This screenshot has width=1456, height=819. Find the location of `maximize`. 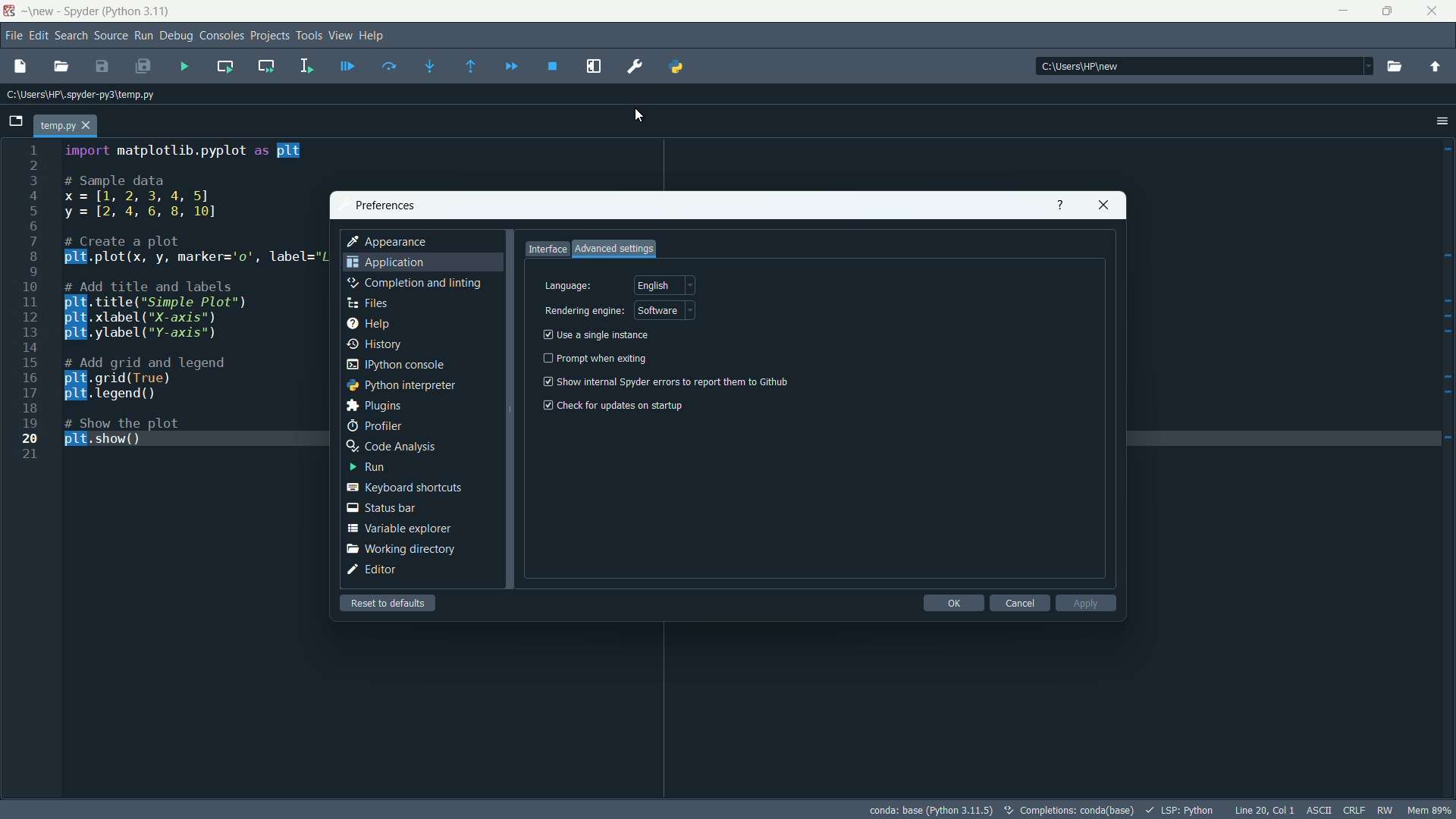

maximize is located at coordinates (1390, 11).